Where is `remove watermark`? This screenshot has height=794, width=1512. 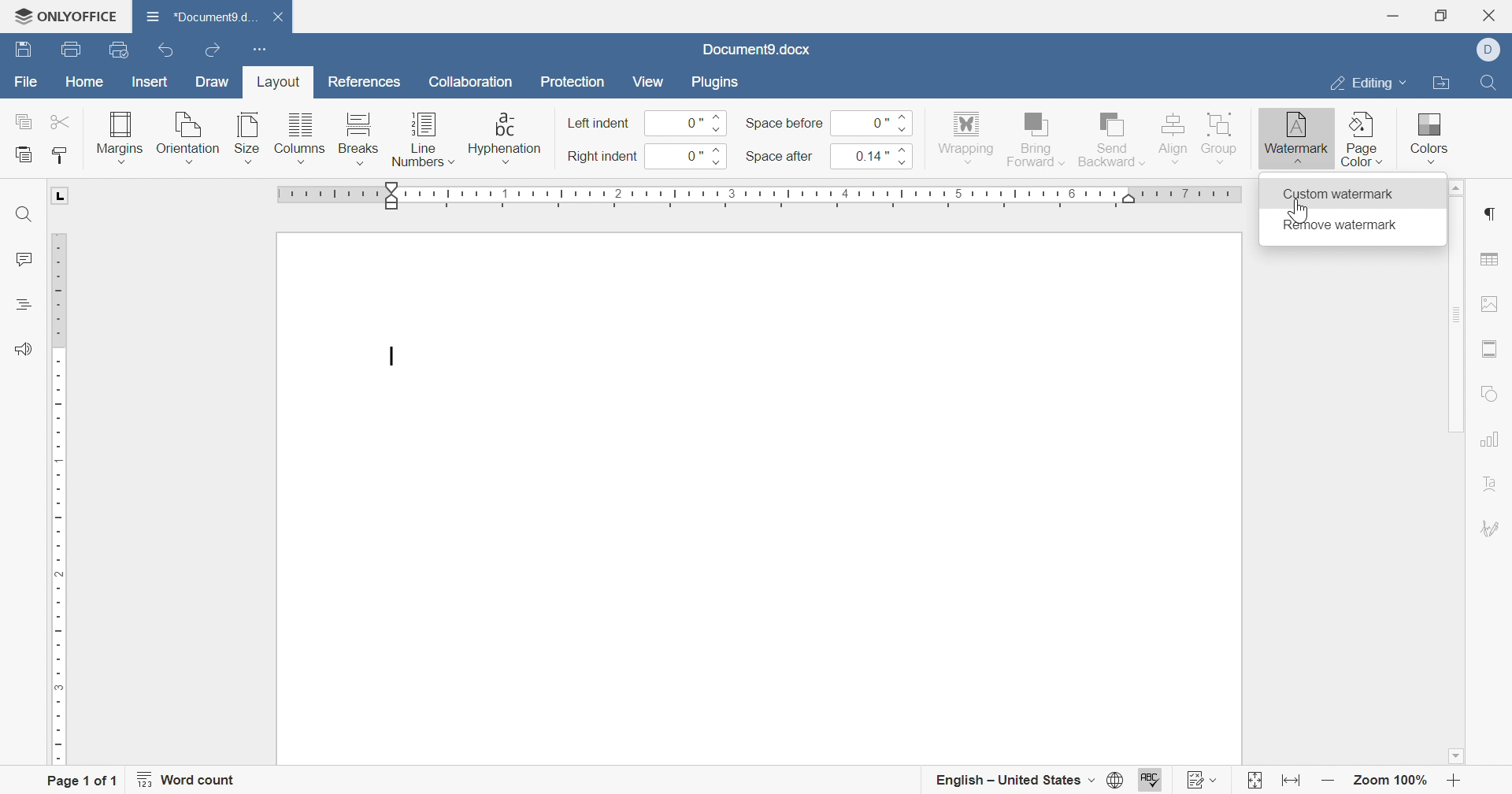
remove watermark is located at coordinates (1336, 226).